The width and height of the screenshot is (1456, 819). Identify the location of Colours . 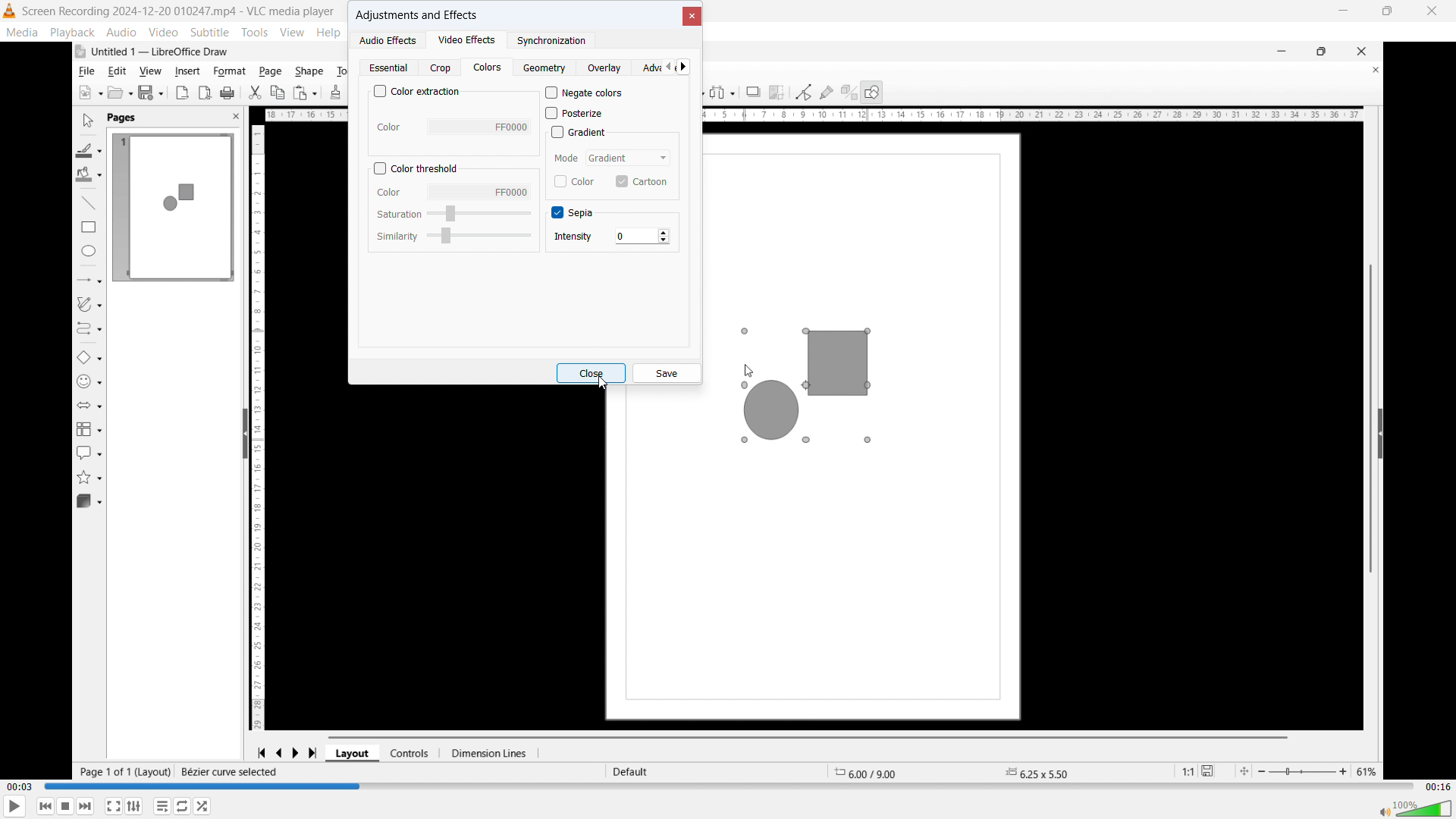
(488, 67).